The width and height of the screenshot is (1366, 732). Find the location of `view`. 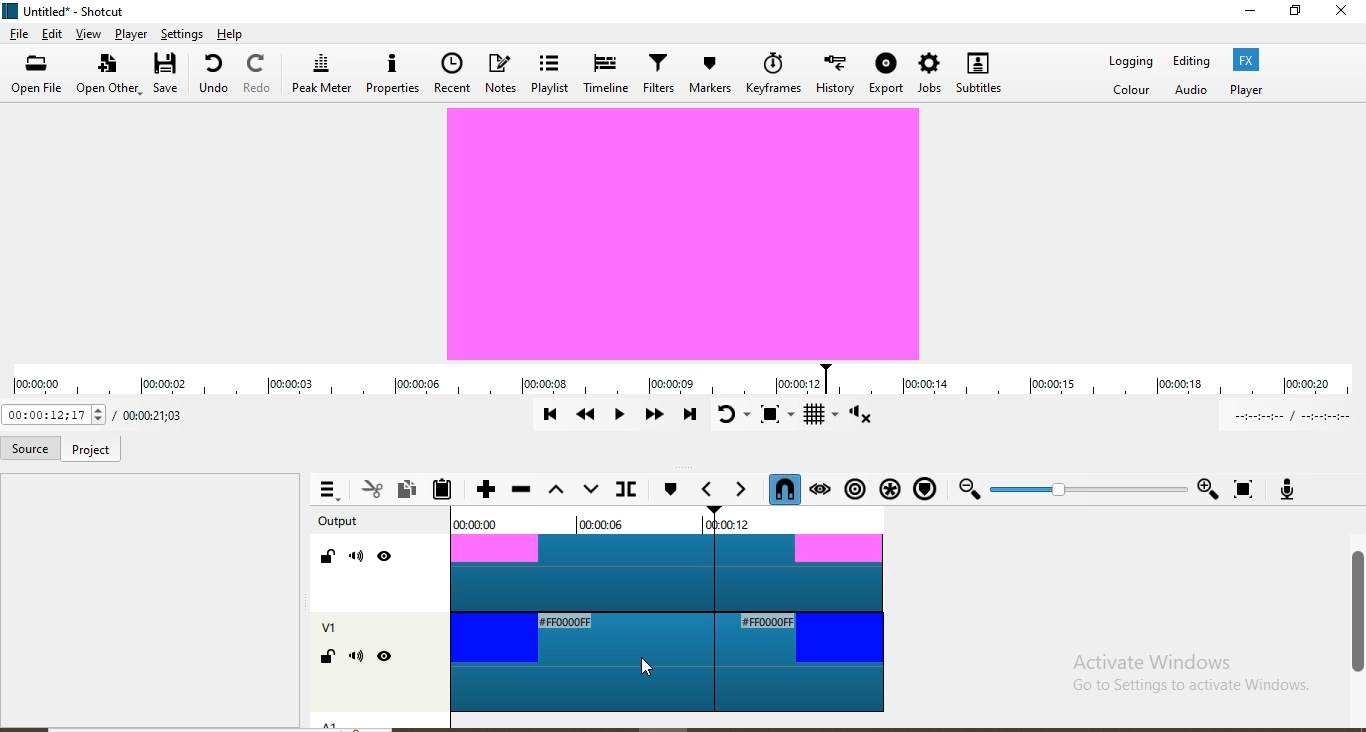

view is located at coordinates (87, 35).